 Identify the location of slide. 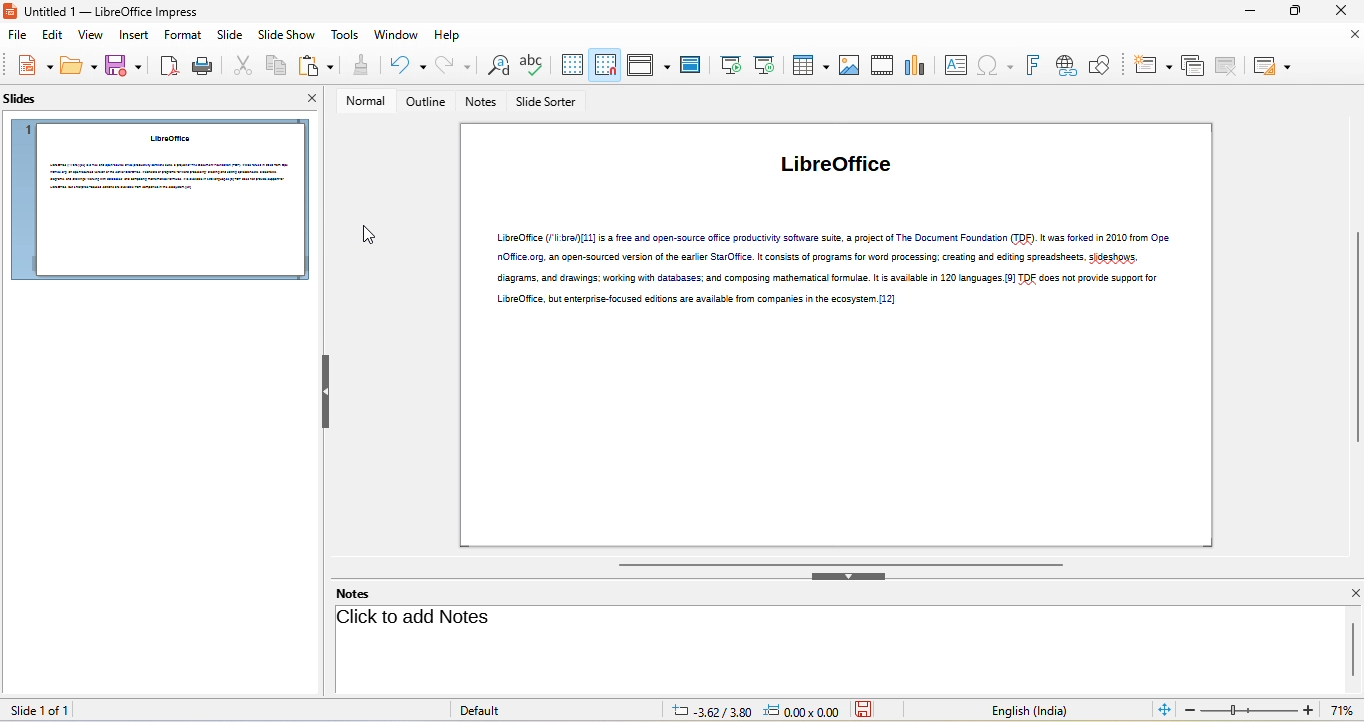
(227, 35).